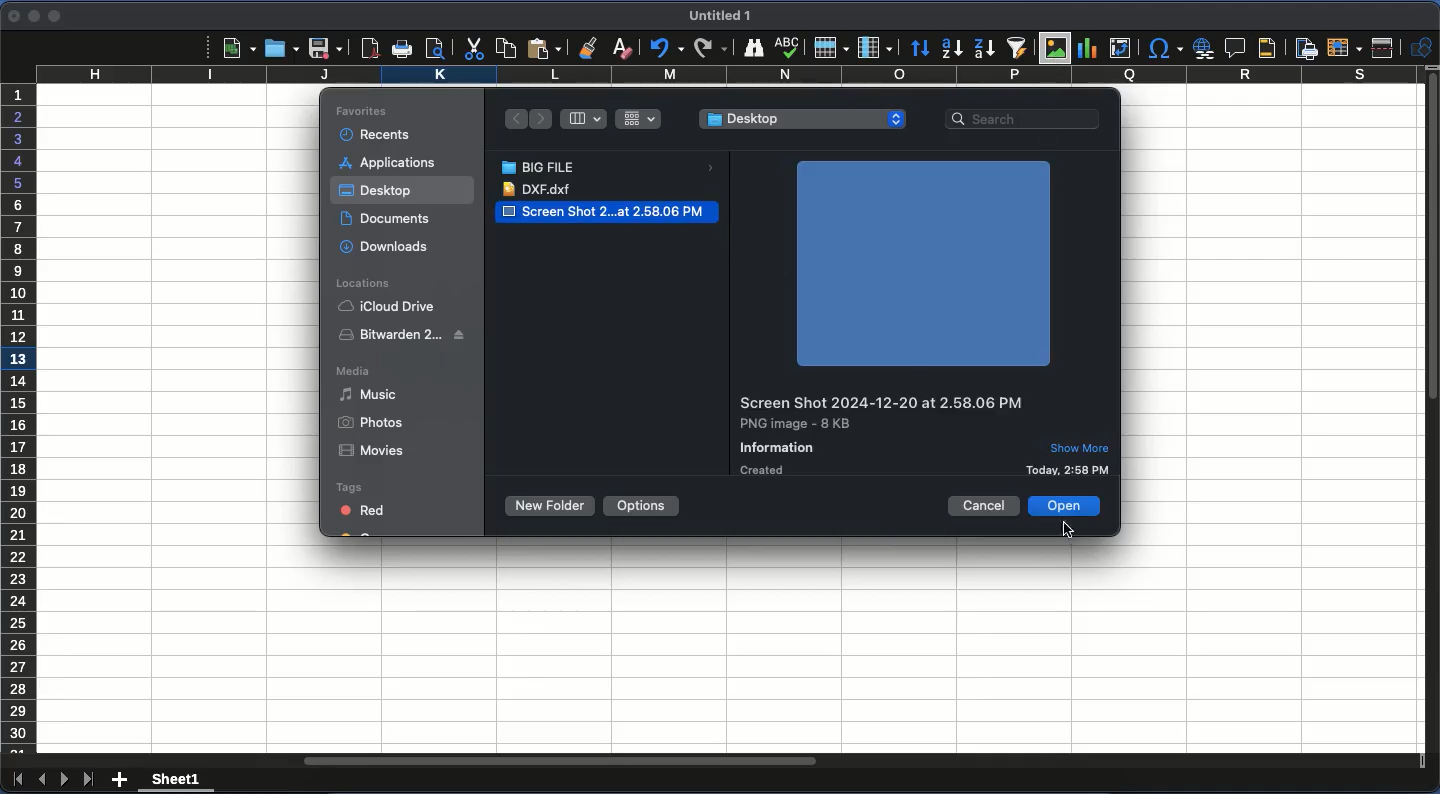 Image resolution: width=1440 pixels, height=794 pixels. What do you see at coordinates (373, 136) in the screenshot?
I see `recents` at bounding box center [373, 136].